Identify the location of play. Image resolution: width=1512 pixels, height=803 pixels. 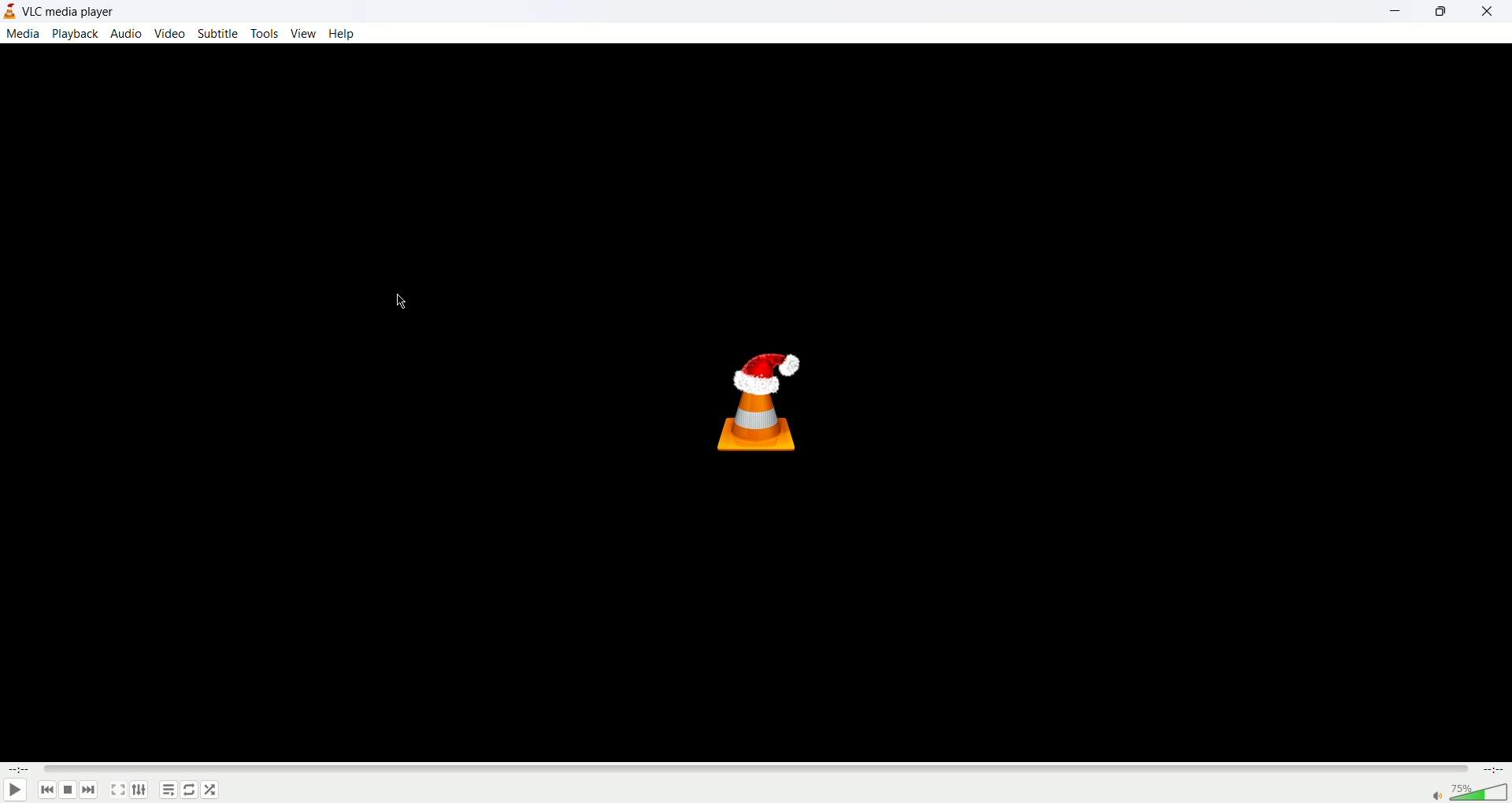
(17, 789).